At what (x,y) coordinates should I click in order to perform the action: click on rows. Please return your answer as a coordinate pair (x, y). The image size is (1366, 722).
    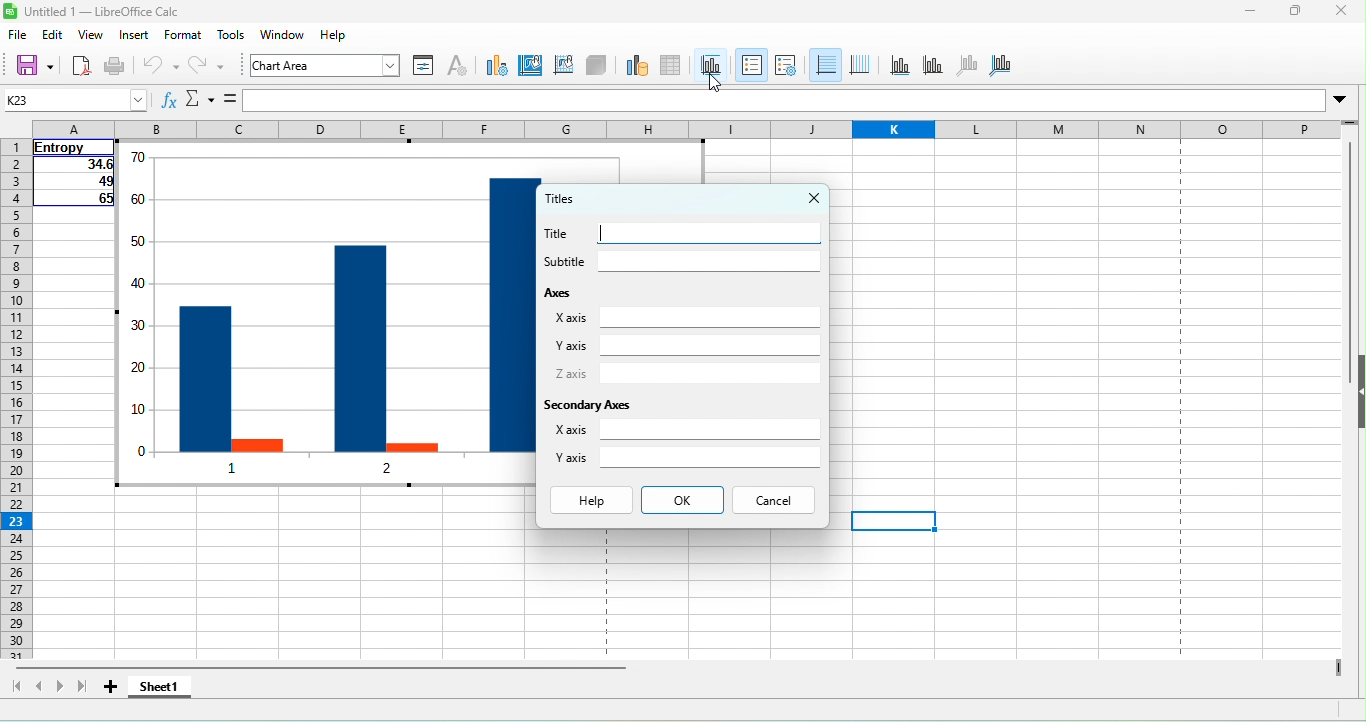
    Looking at the image, I should click on (14, 401).